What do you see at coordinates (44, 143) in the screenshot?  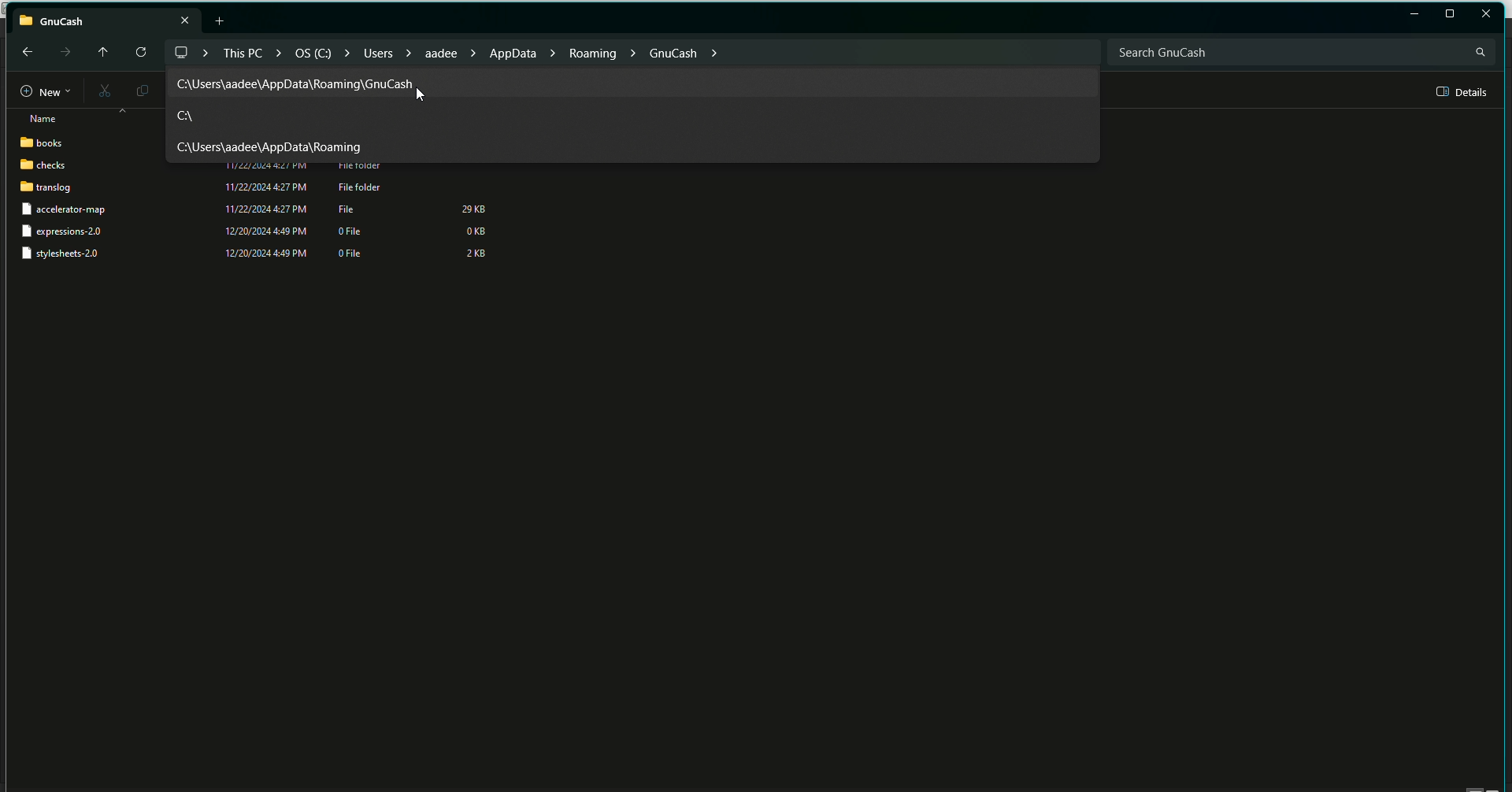 I see `books` at bounding box center [44, 143].